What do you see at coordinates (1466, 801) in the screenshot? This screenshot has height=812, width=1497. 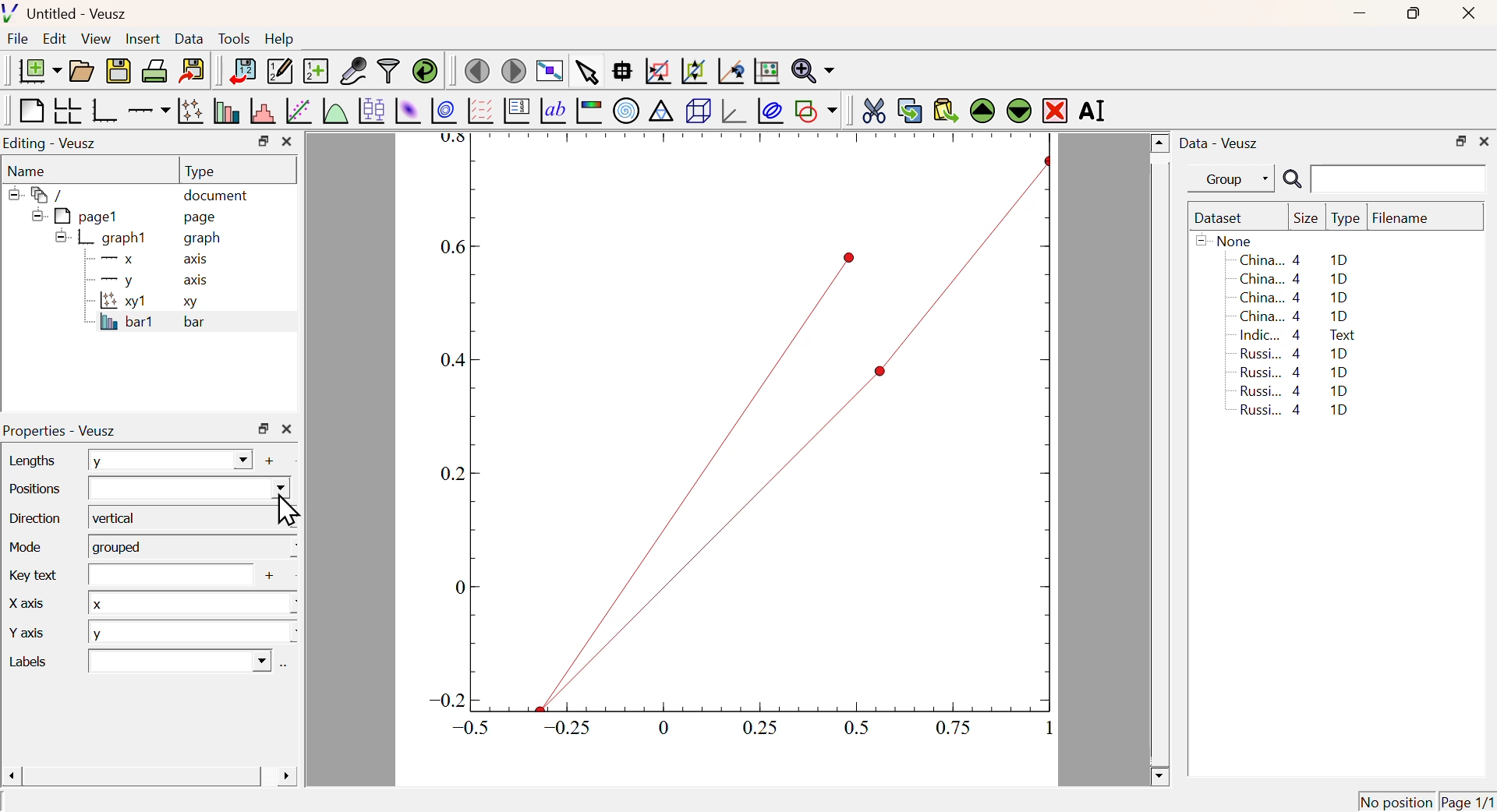 I see `Page 1/1` at bounding box center [1466, 801].